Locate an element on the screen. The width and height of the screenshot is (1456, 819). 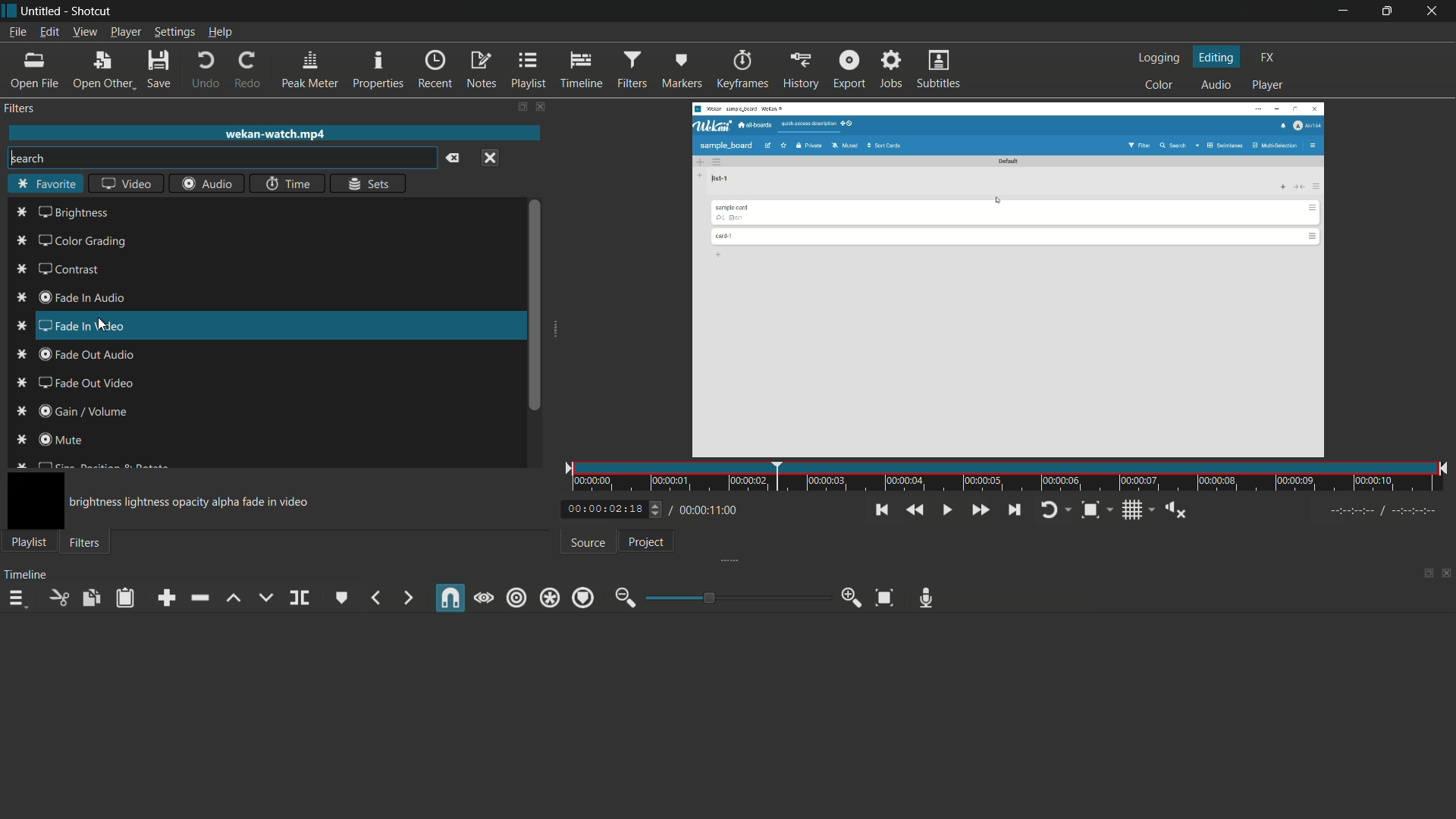
app icon is located at coordinates (9, 11).